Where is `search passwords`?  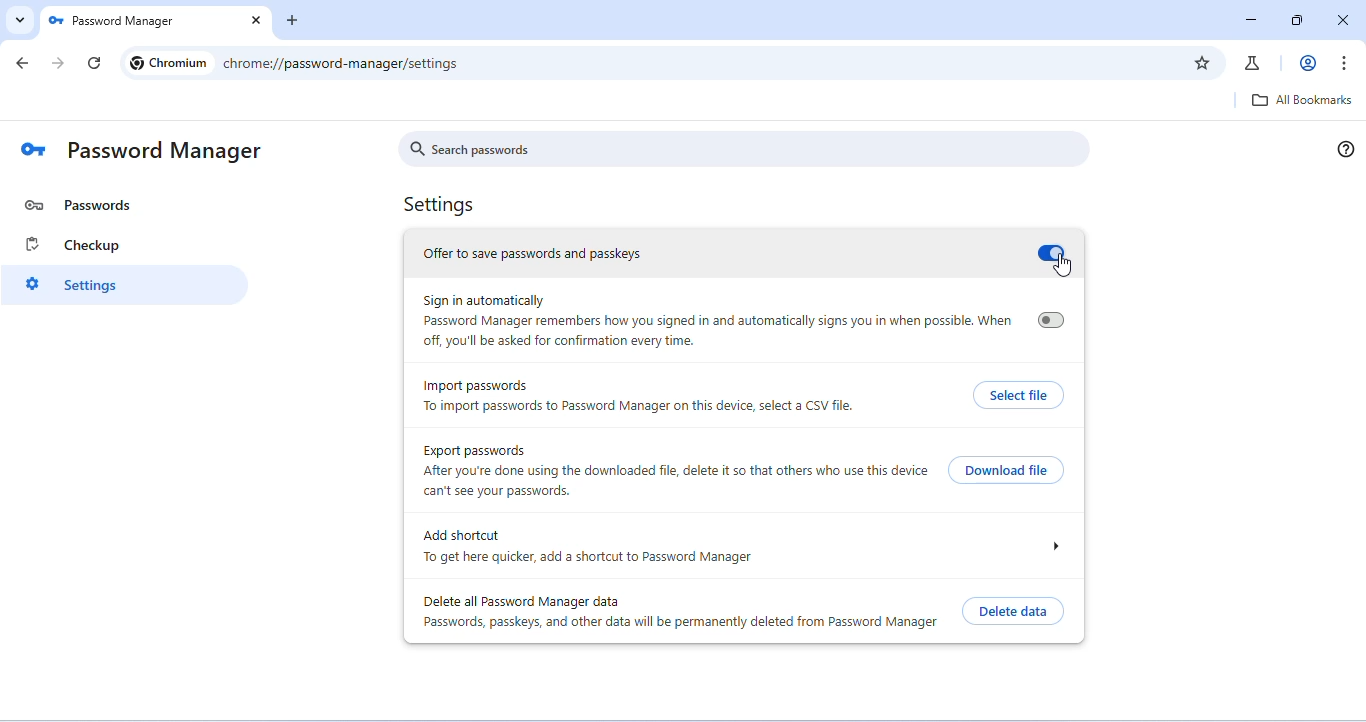
search passwords is located at coordinates (744, 150).